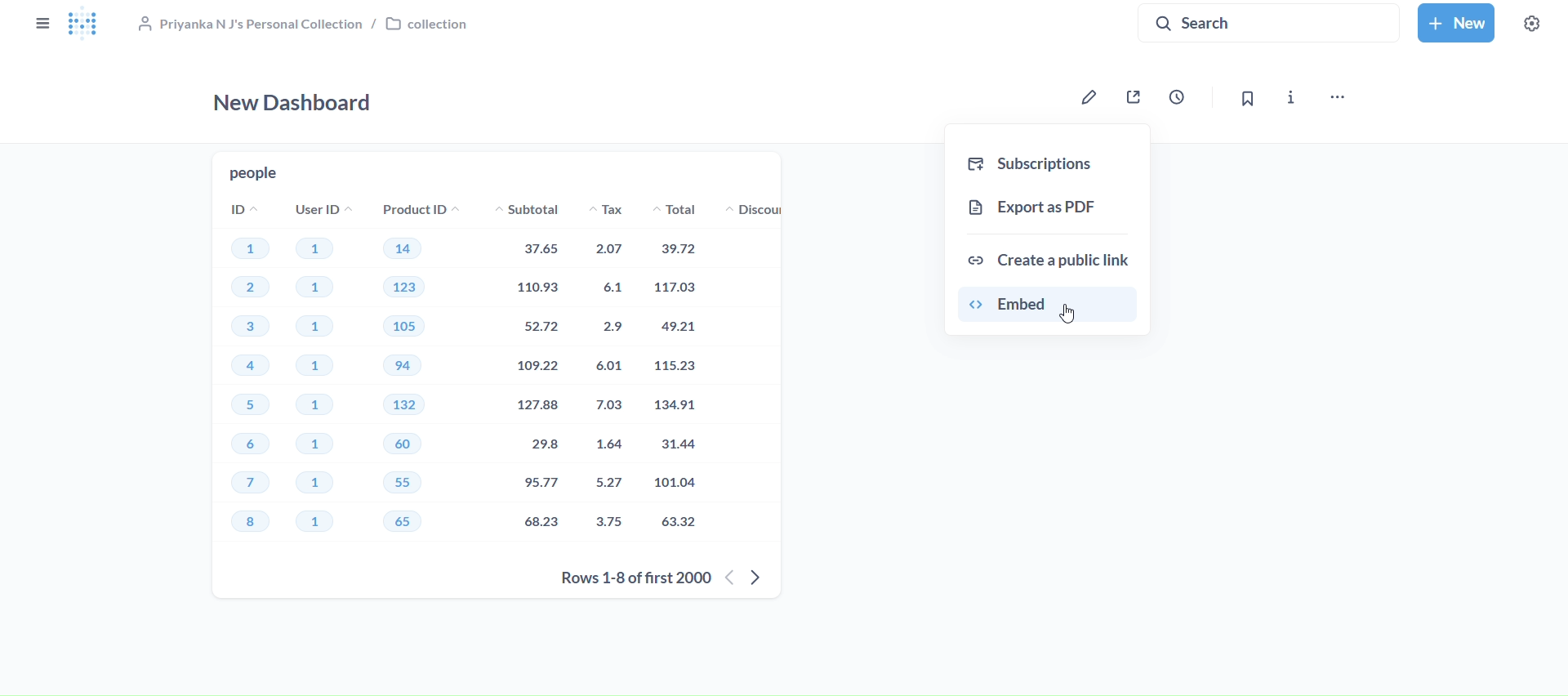  I want to click on new dashboard, so click(296, 105).